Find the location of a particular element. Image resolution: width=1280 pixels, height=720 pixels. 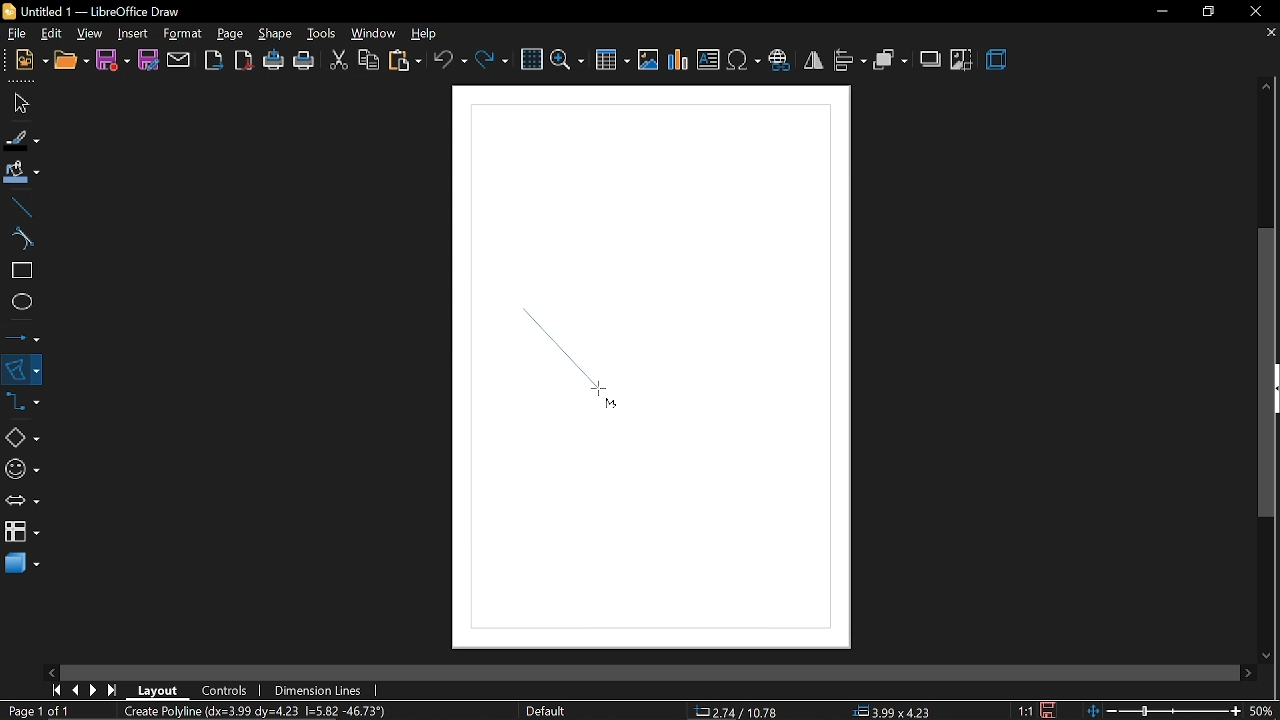

next page is located at coordinates (98, 688).